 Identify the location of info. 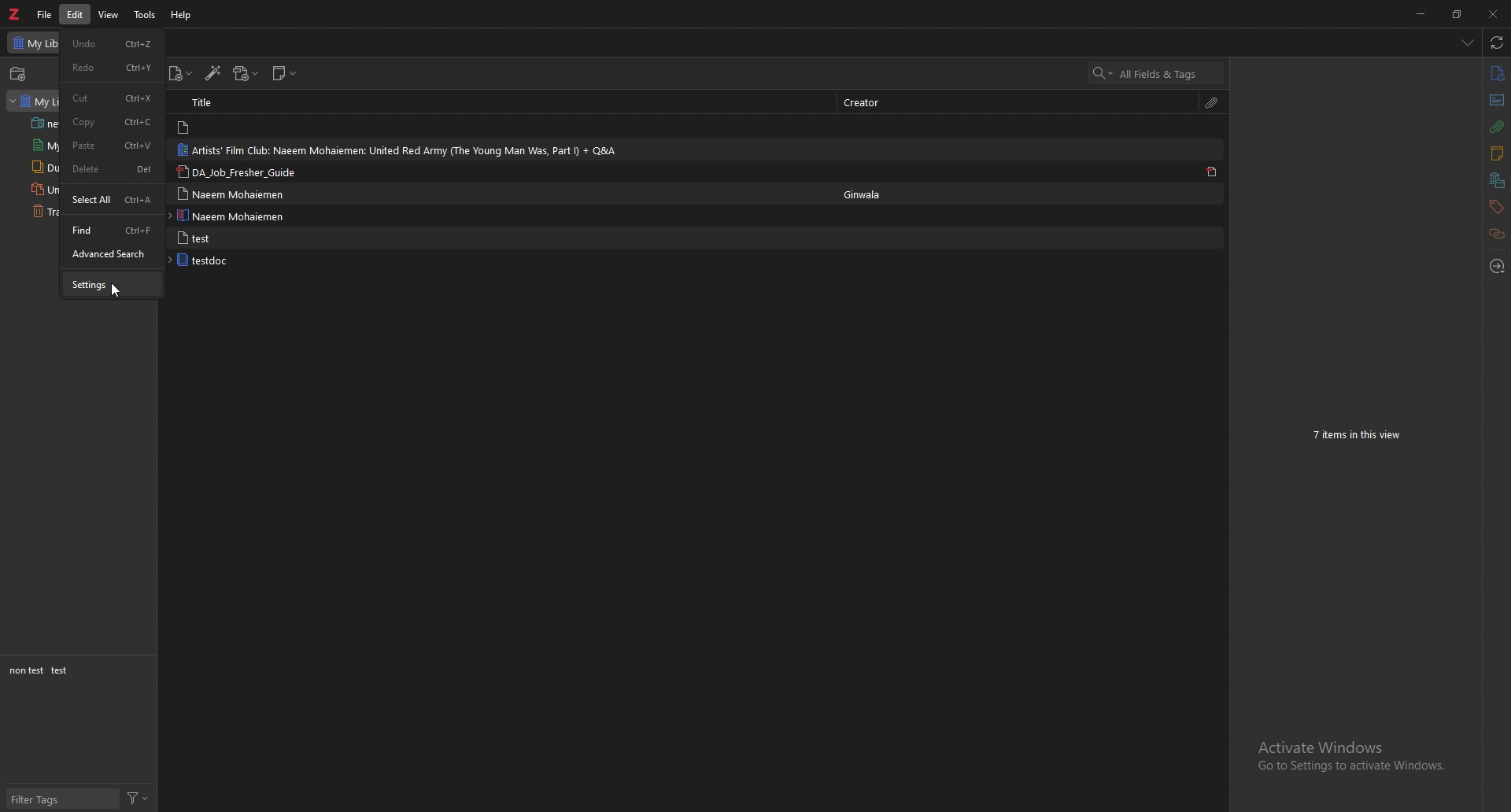
(1496, 73).